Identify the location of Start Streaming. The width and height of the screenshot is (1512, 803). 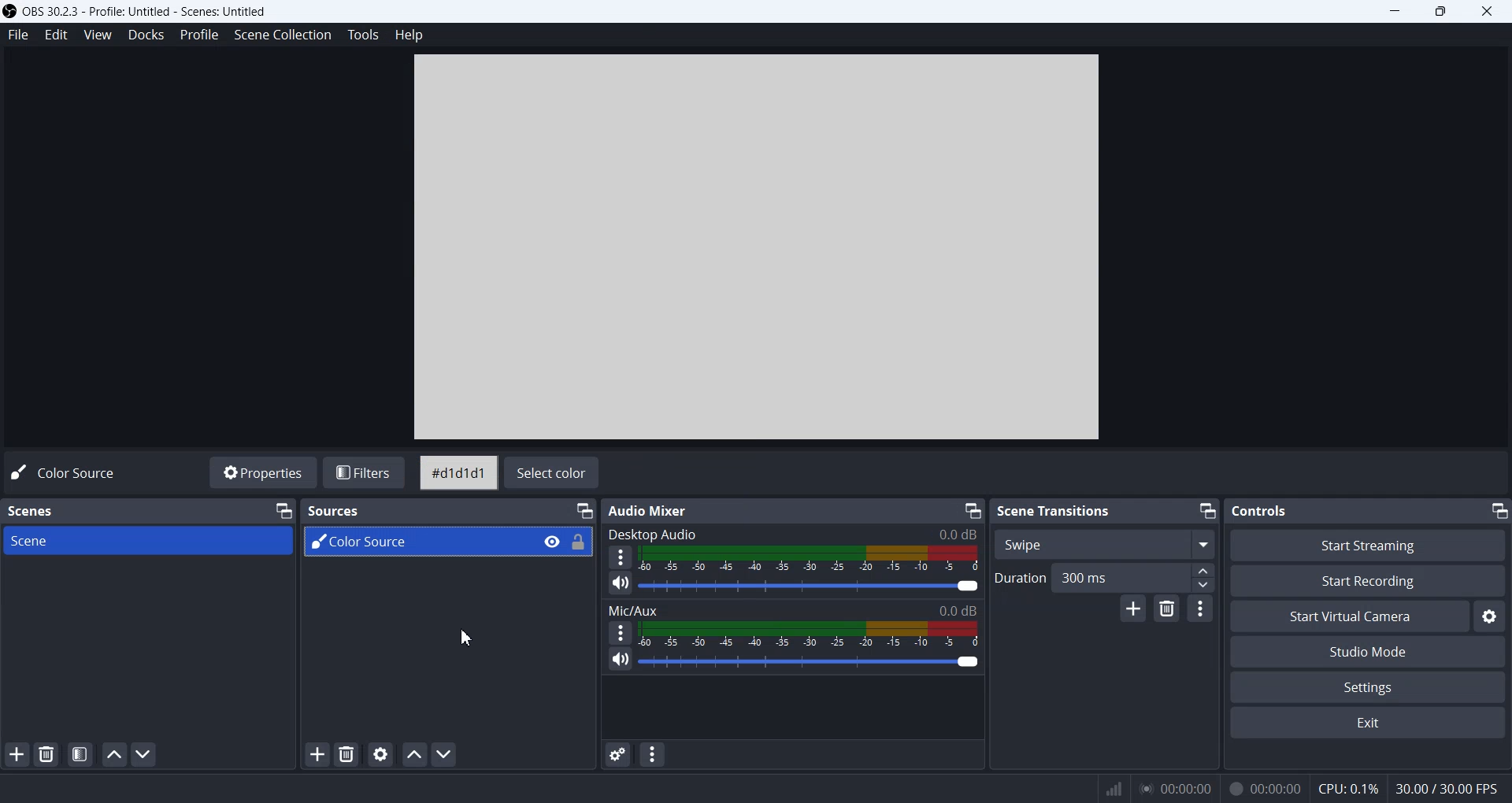
(1367, 545).